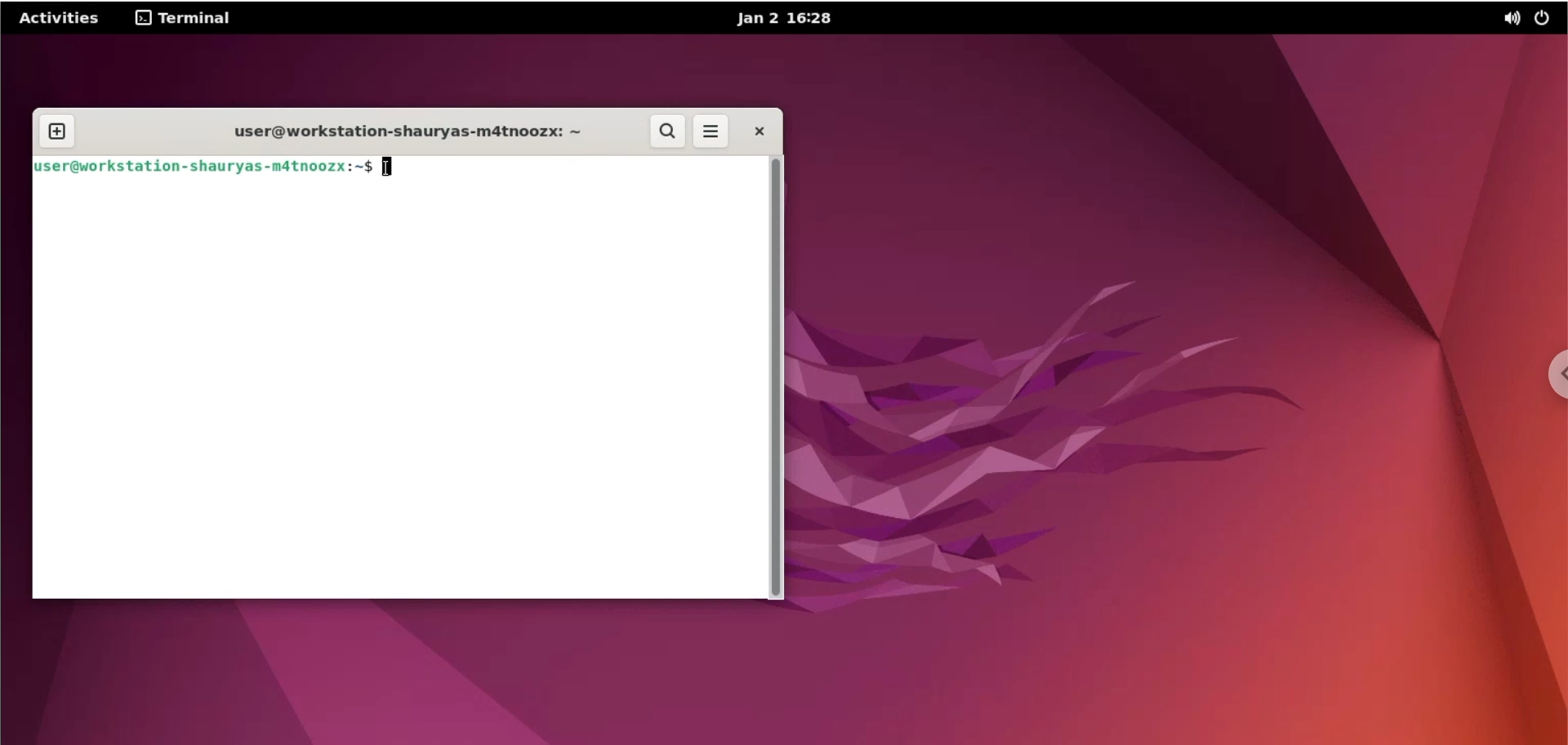 The height and width of the screenshot is (745, 1568). Describe the element at coordinates (1507, 19) in the screenshot. I see `sound options` at that location.